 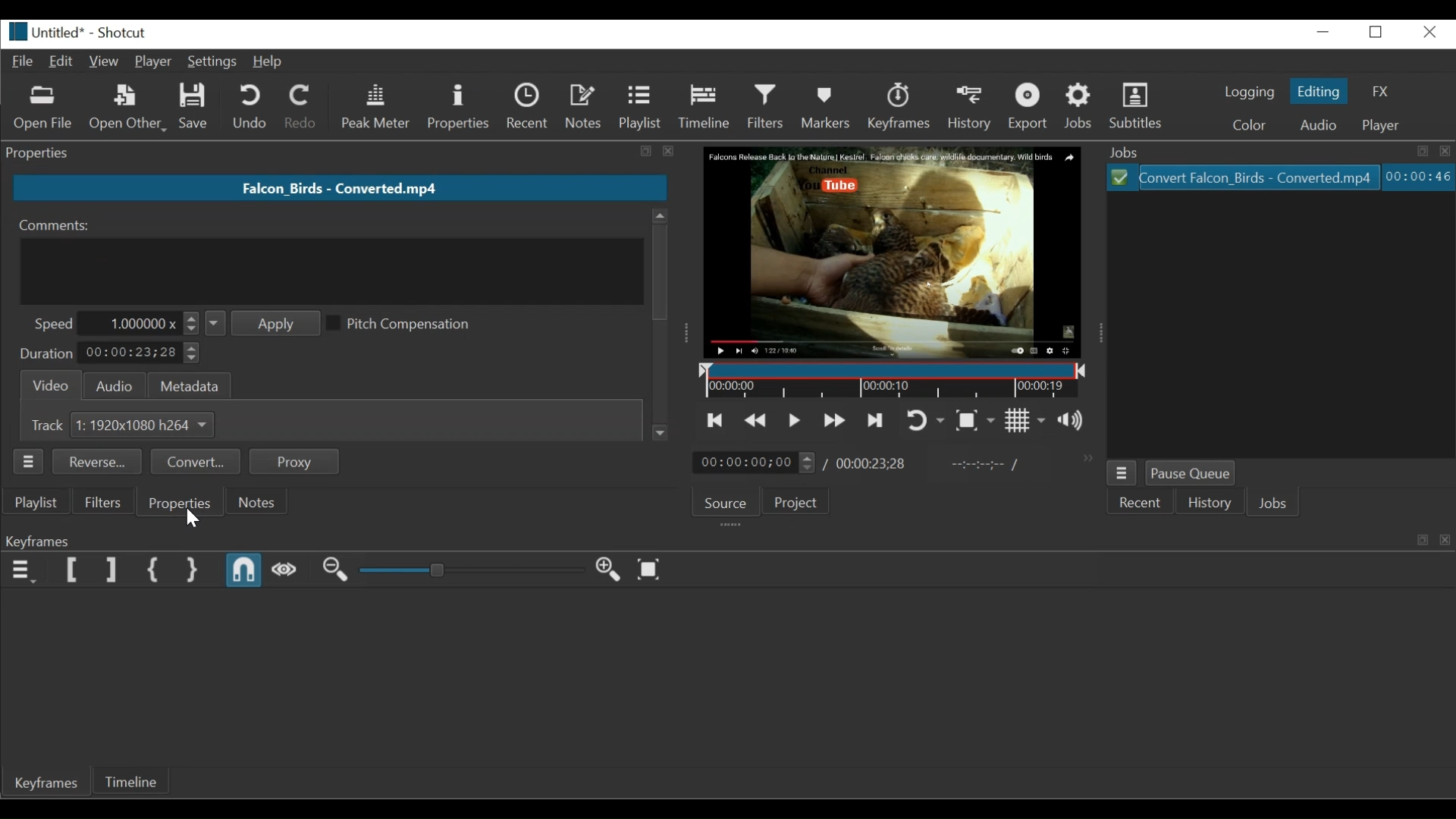 What do you see at coordinates (102, 501) in the screenshot?
I see `Filters` at bounding box center [102, 501].